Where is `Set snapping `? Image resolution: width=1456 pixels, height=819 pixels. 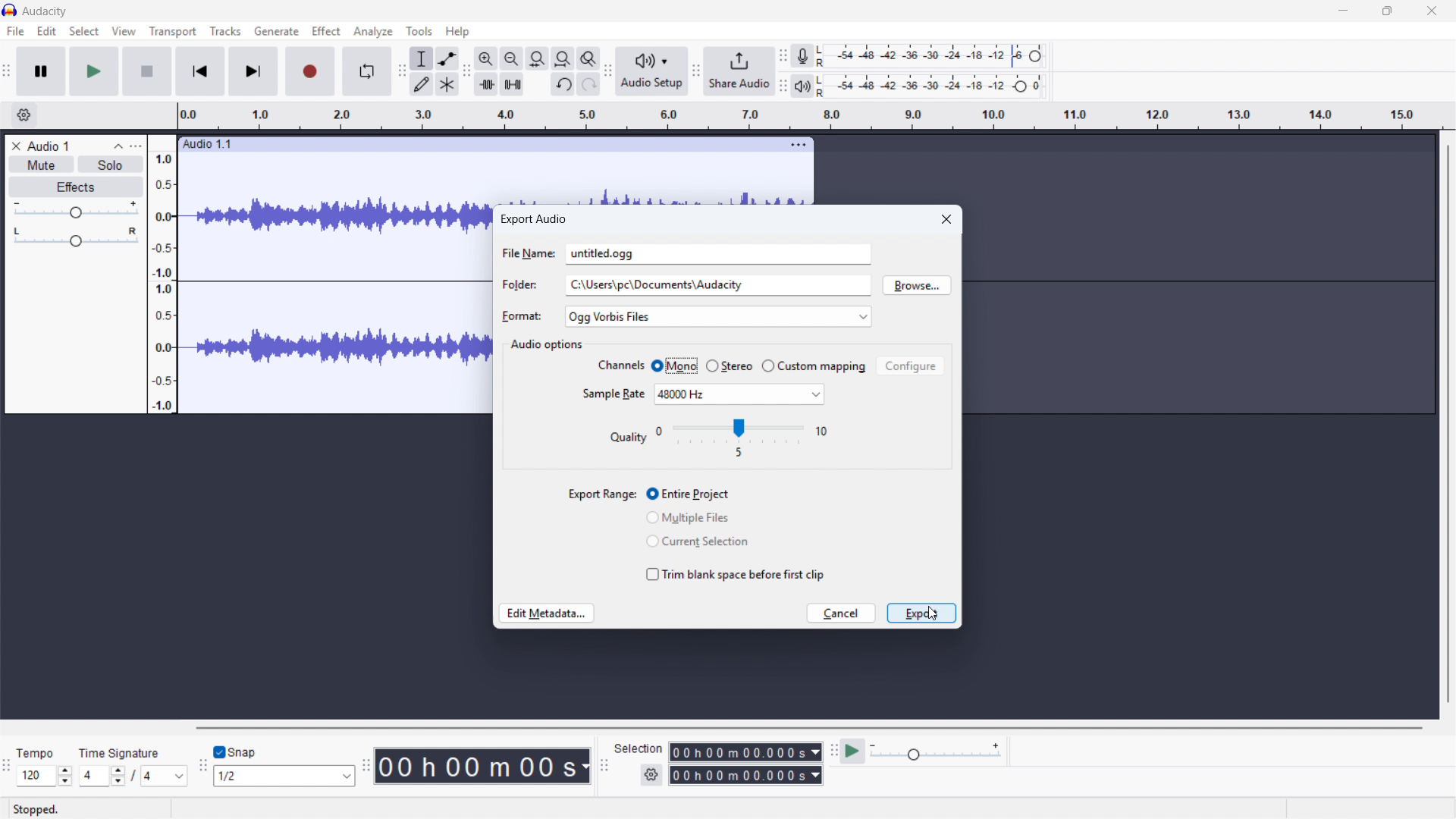
Set snapping  is located at coordinates (284, 776).